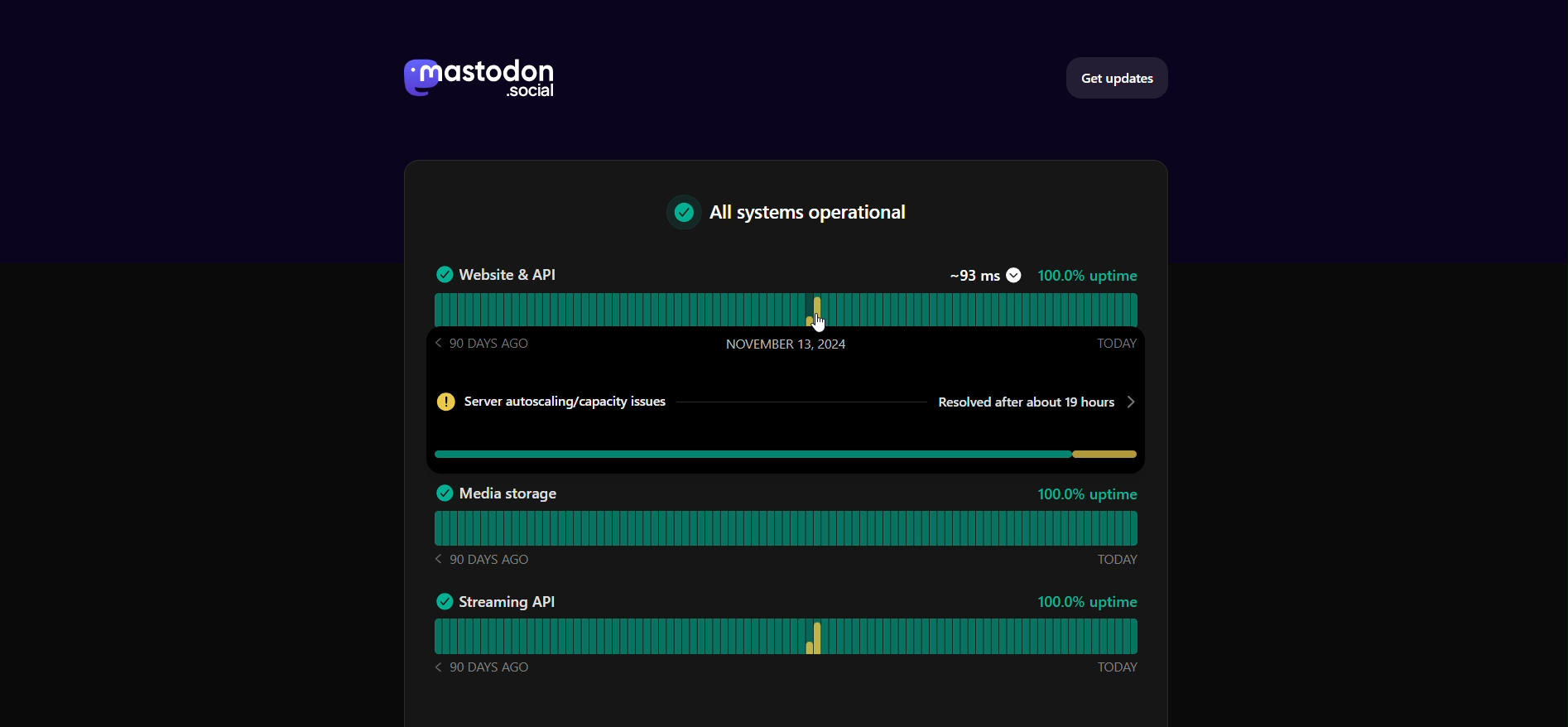  What do you see at coordinates (822, 322) in the screenshot?
I see `cursor` at bounding box center [822, 322].